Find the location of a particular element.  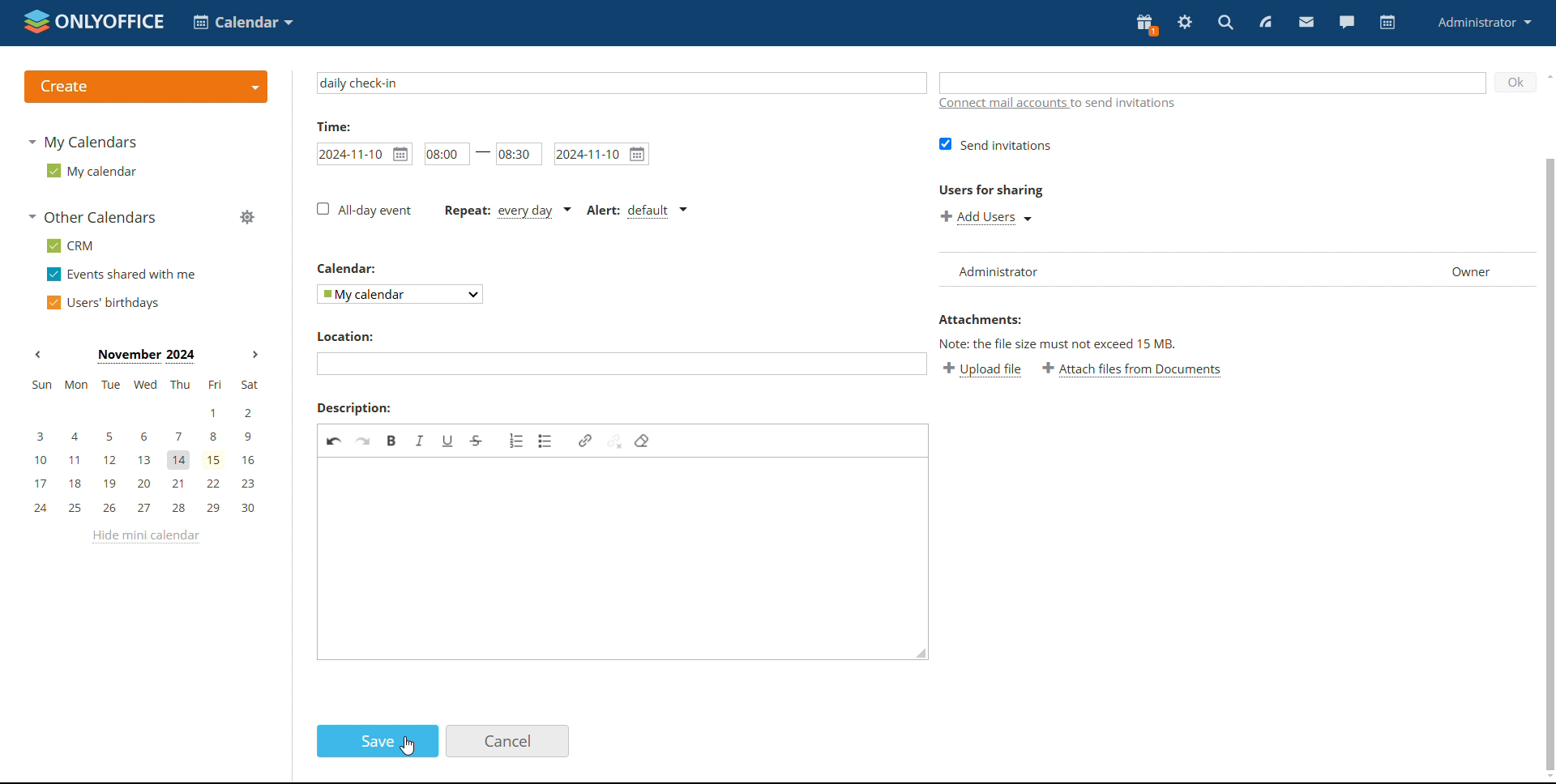

users for sharing: is located at coordinates (994, 190).